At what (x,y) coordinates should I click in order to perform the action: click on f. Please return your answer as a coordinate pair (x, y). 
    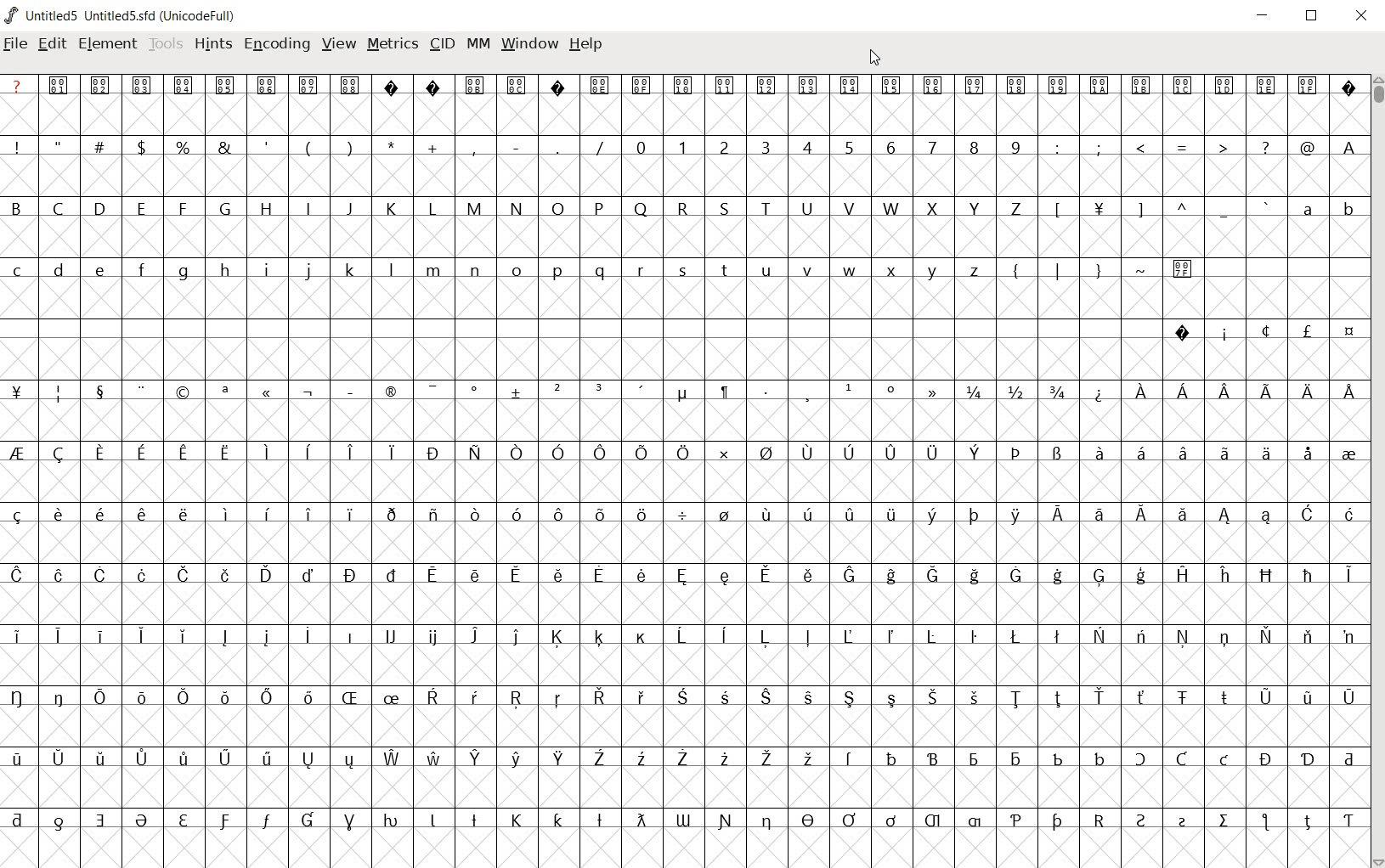
    Looking at the image, I should click on (141, 273).